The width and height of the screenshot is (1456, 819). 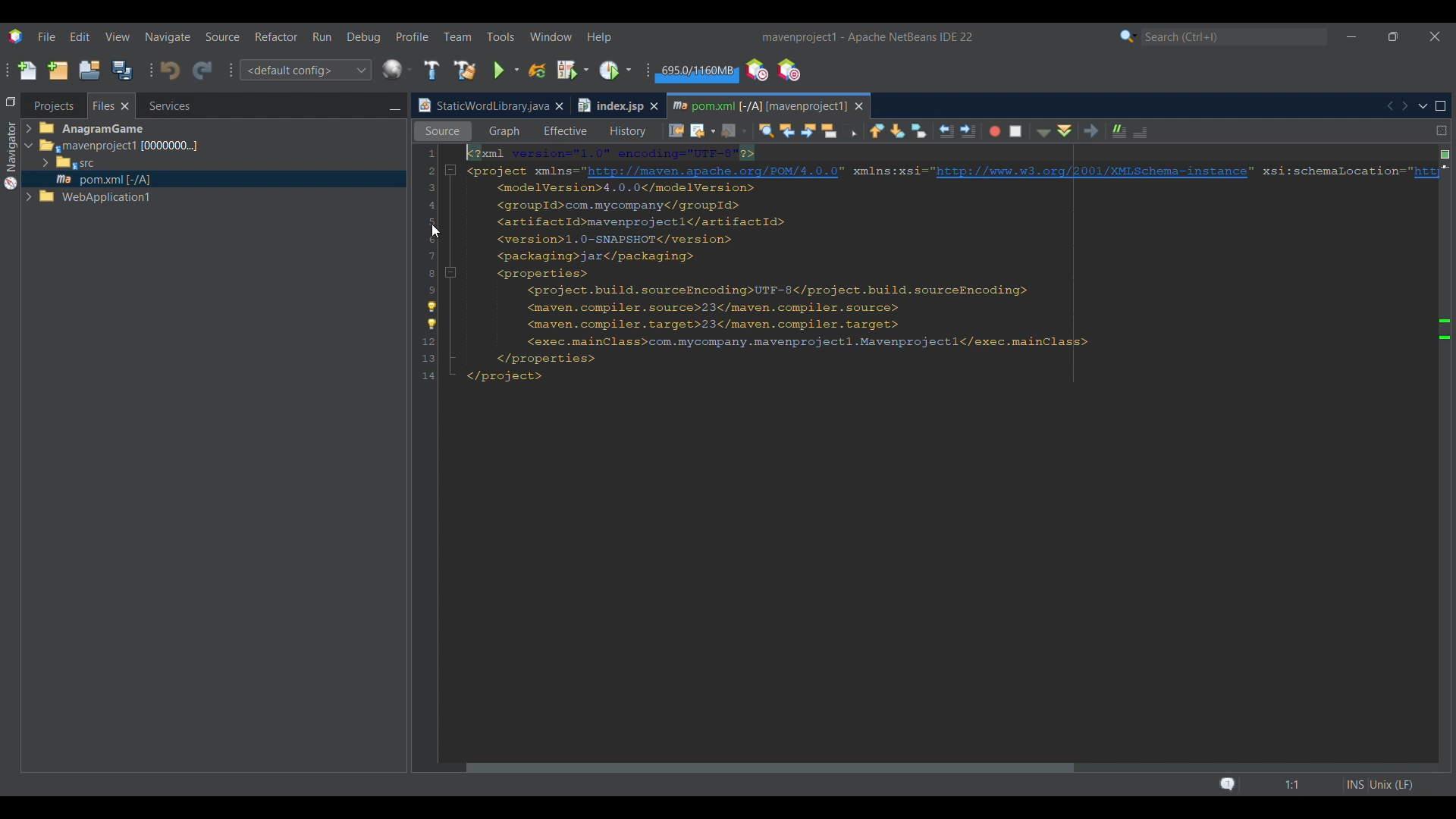 What do you see at coordinates (758, 104) in the screenshot?
I see `Current tab highlighted` at bounding box center [758, 104].